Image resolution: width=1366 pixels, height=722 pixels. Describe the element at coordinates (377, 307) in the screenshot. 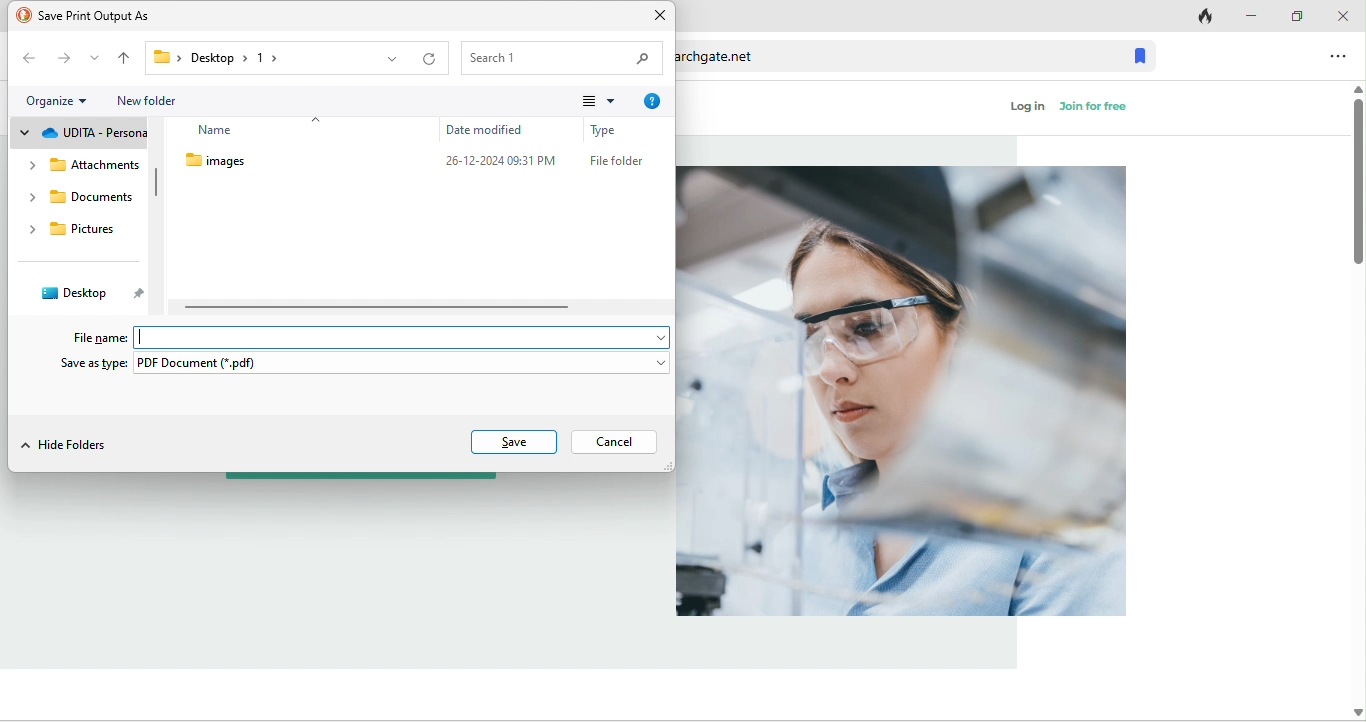

I see `horizontal scroll bar` at that location.